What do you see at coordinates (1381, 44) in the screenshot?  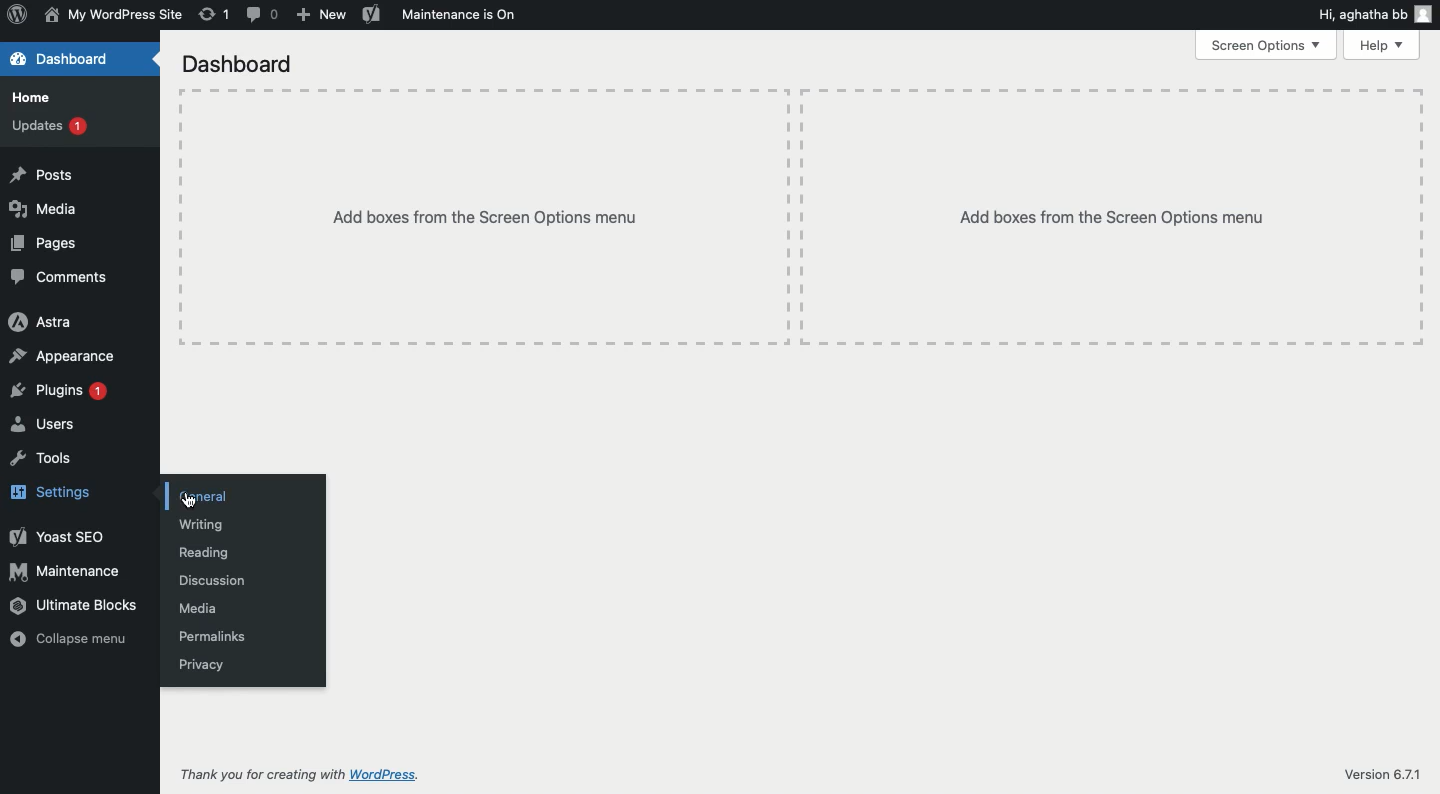 I see `Help` at bounding box center [1381, 44].